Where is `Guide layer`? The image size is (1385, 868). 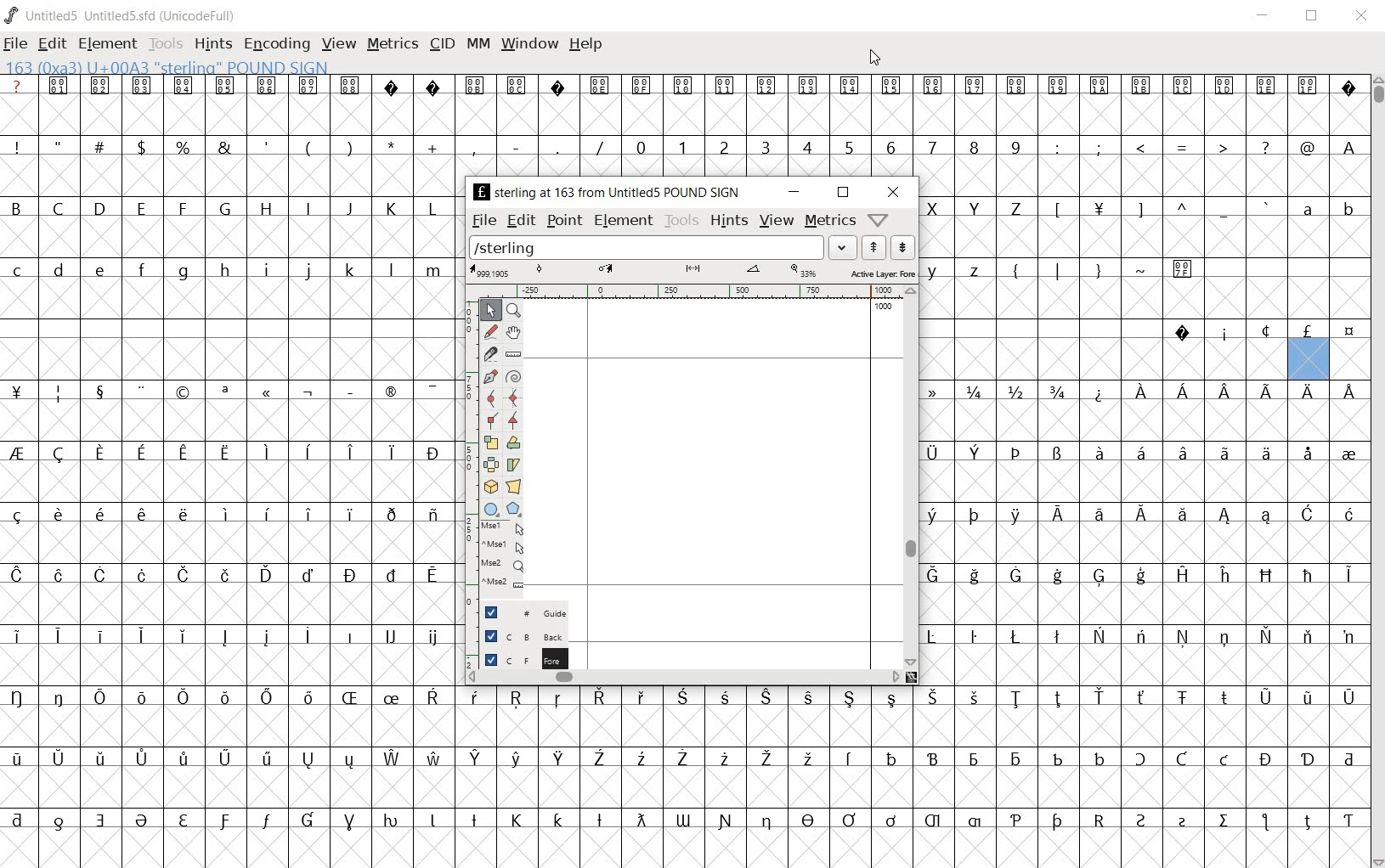 Guide layer is located at coordinates (523, 611).